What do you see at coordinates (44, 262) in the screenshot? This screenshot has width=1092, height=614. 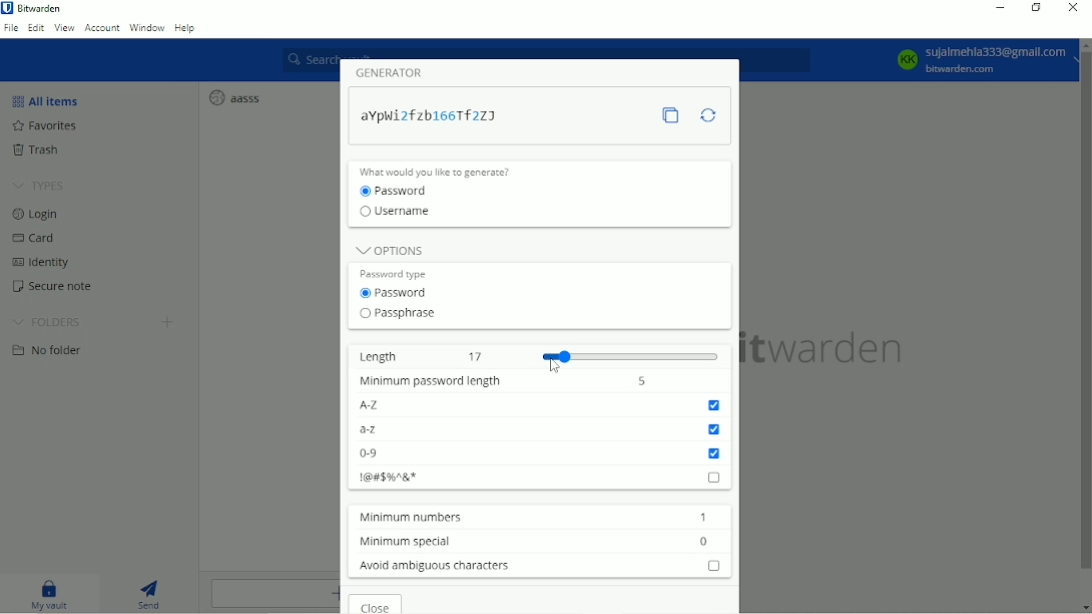 I see `Identity` at bounding box center [44, 262].